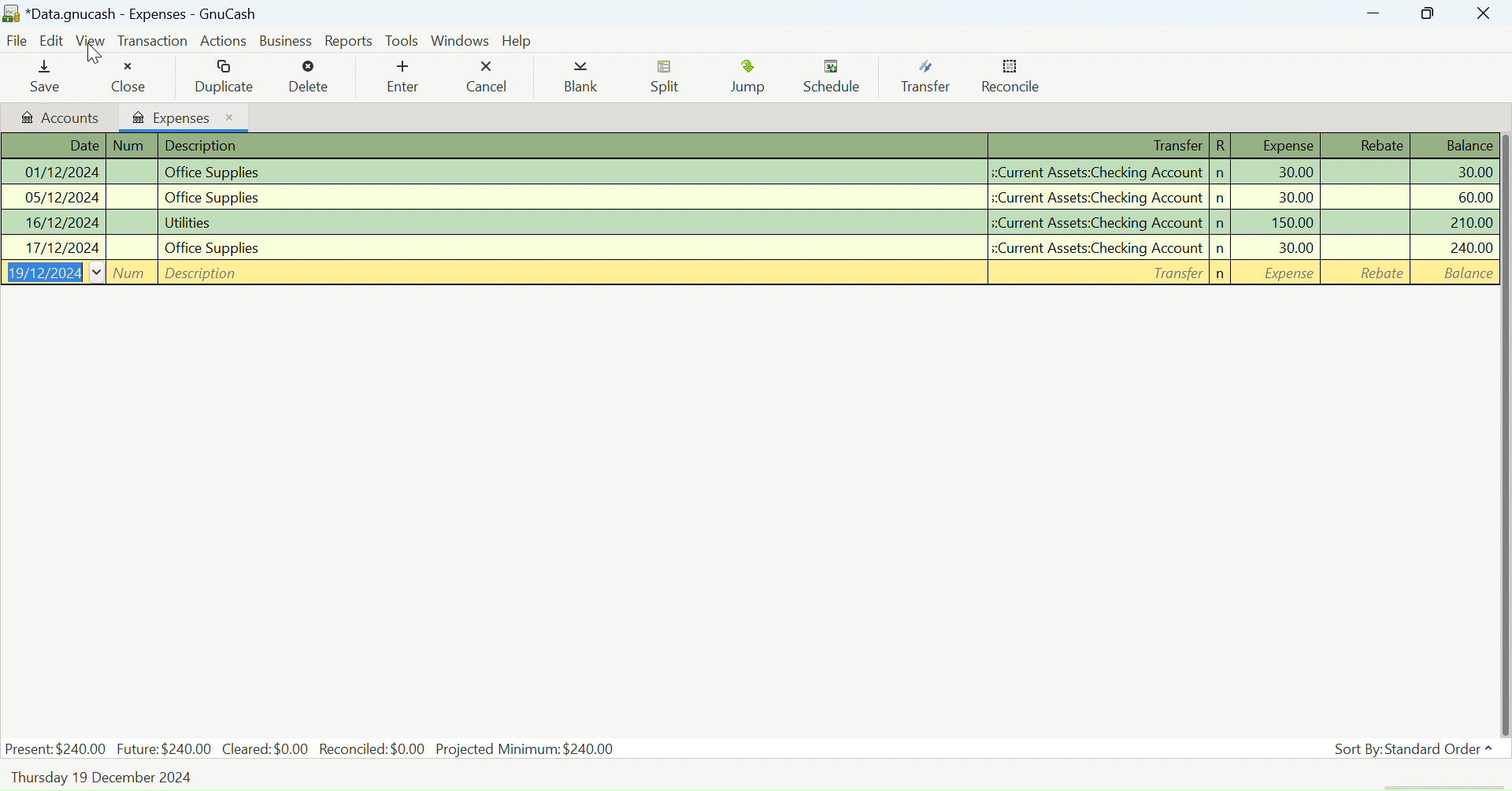 The width and height of the screenshot is (1512, 791). I want to click on Office Supplies Transaction, so click(747, 197).